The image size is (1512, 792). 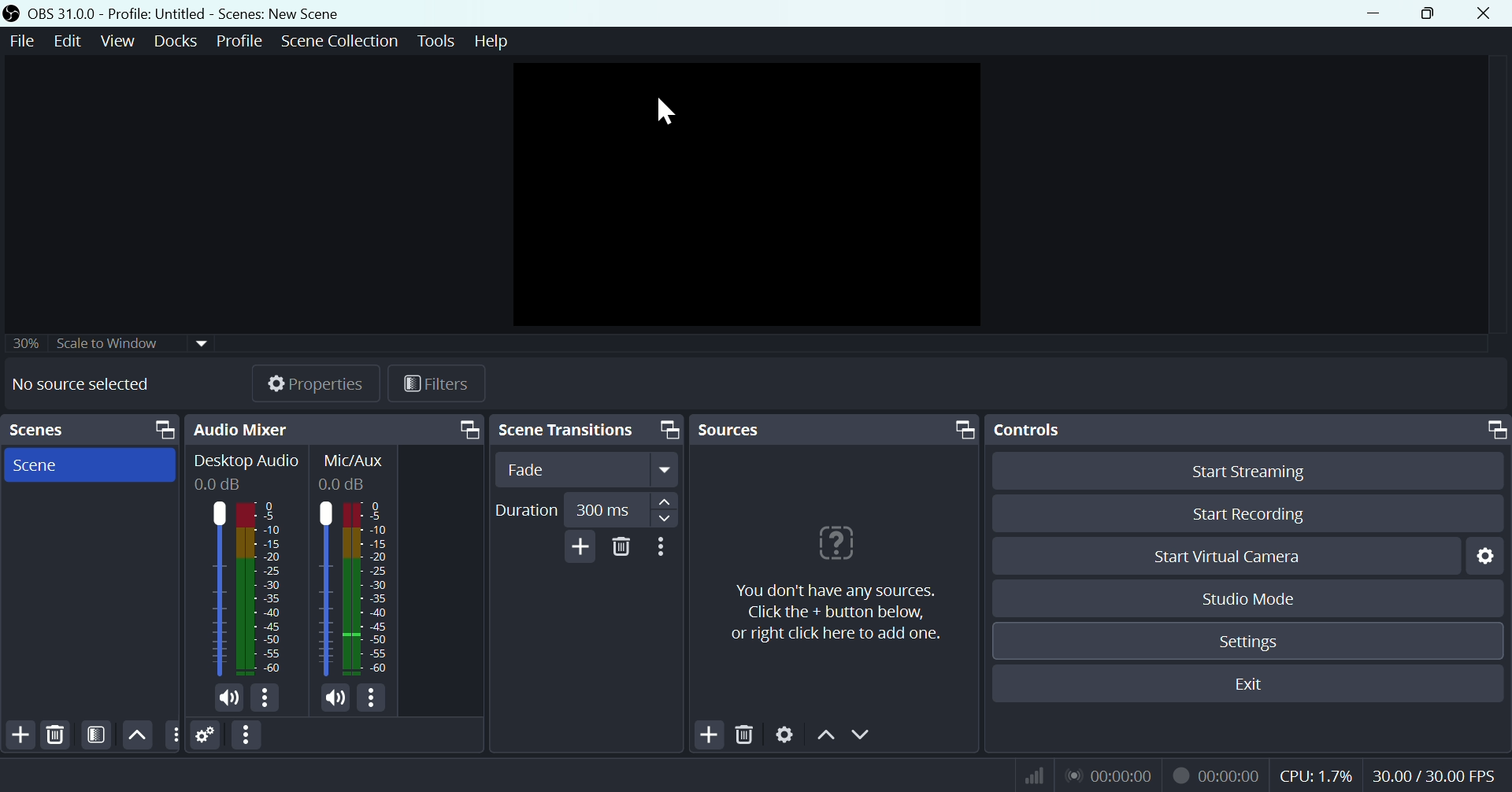 What do you see at coordinates (1241, 555) in the screenshot?
I see `Start virtual camera` at bounding box center [1241, 555].